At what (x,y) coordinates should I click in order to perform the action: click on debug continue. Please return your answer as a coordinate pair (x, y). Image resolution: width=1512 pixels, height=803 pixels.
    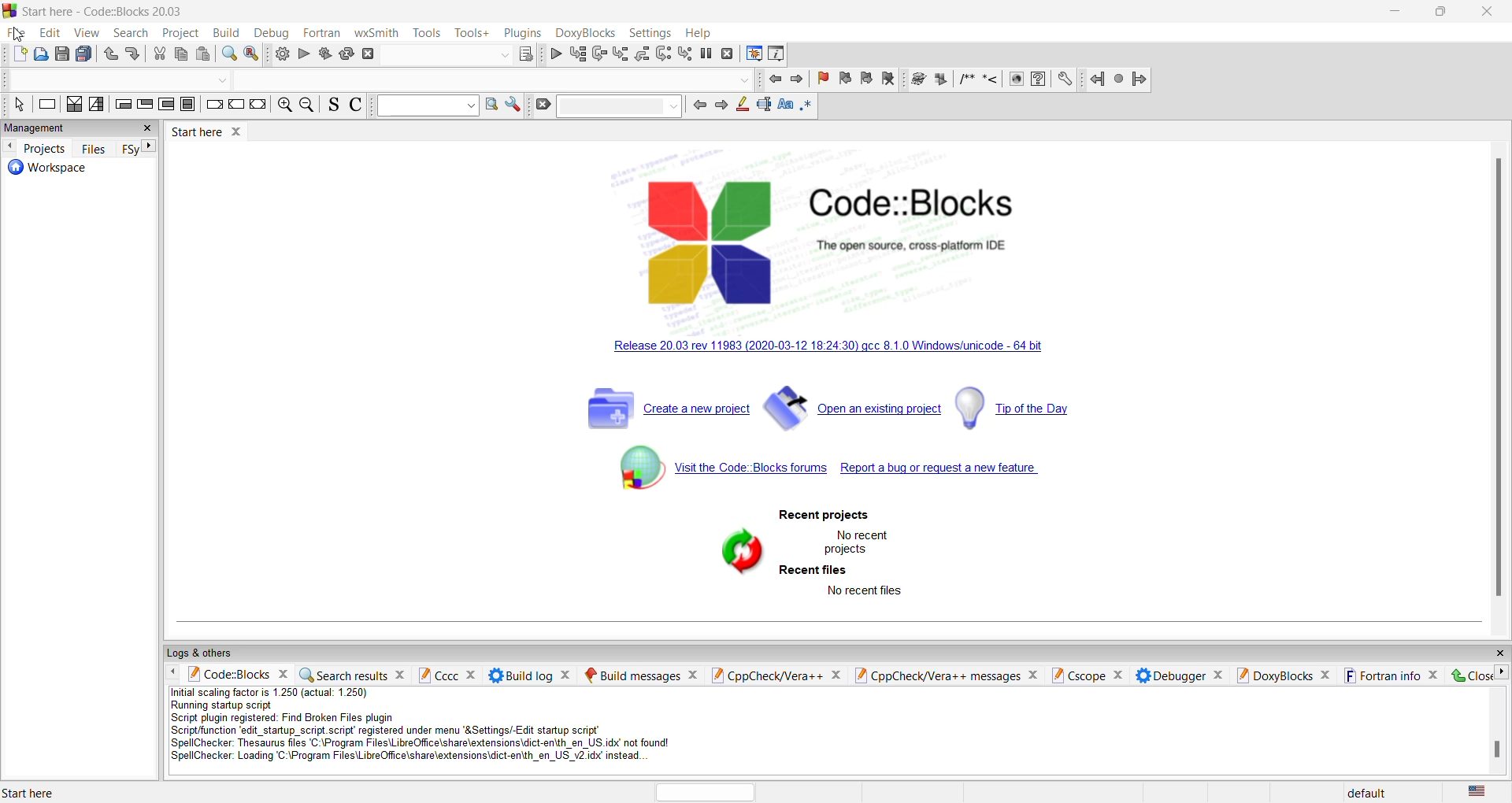
    Looking at the image, I should click on (555, 54).